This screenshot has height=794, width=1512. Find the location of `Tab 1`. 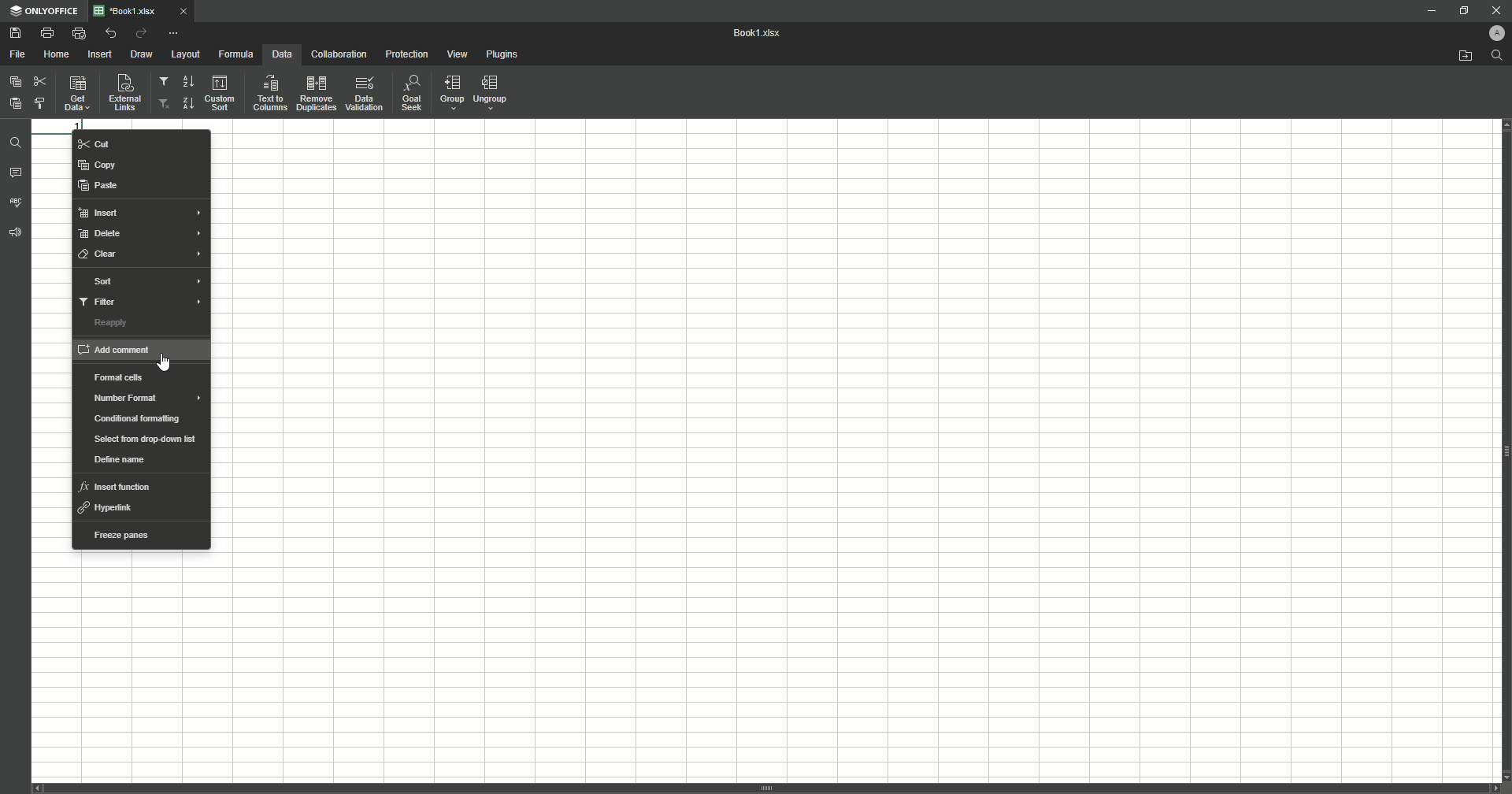

Tab 1 is located at coordinates (149, 11).